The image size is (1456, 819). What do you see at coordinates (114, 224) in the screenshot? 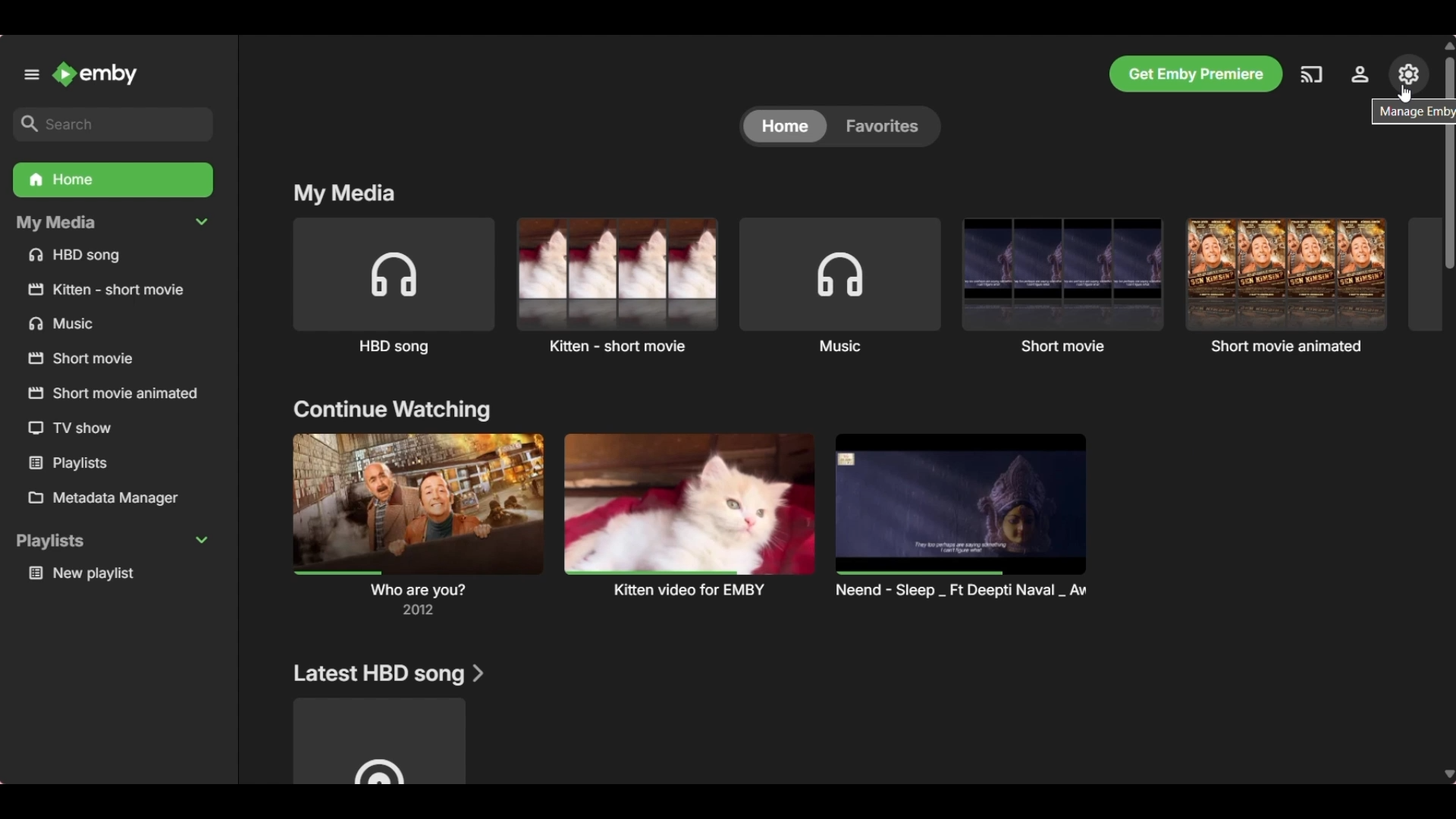
I see `Collapse My Media` at bounding box center [114, 224].